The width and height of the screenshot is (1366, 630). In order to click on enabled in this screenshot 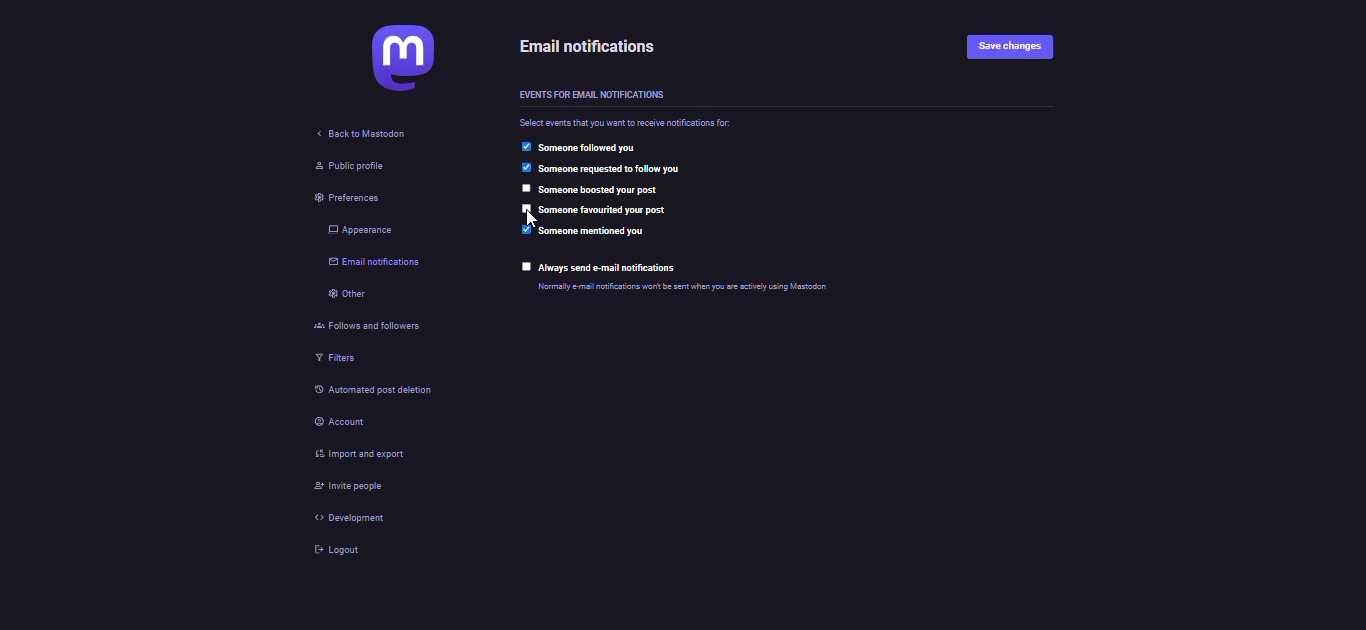, I will do `click(523, 146)`.